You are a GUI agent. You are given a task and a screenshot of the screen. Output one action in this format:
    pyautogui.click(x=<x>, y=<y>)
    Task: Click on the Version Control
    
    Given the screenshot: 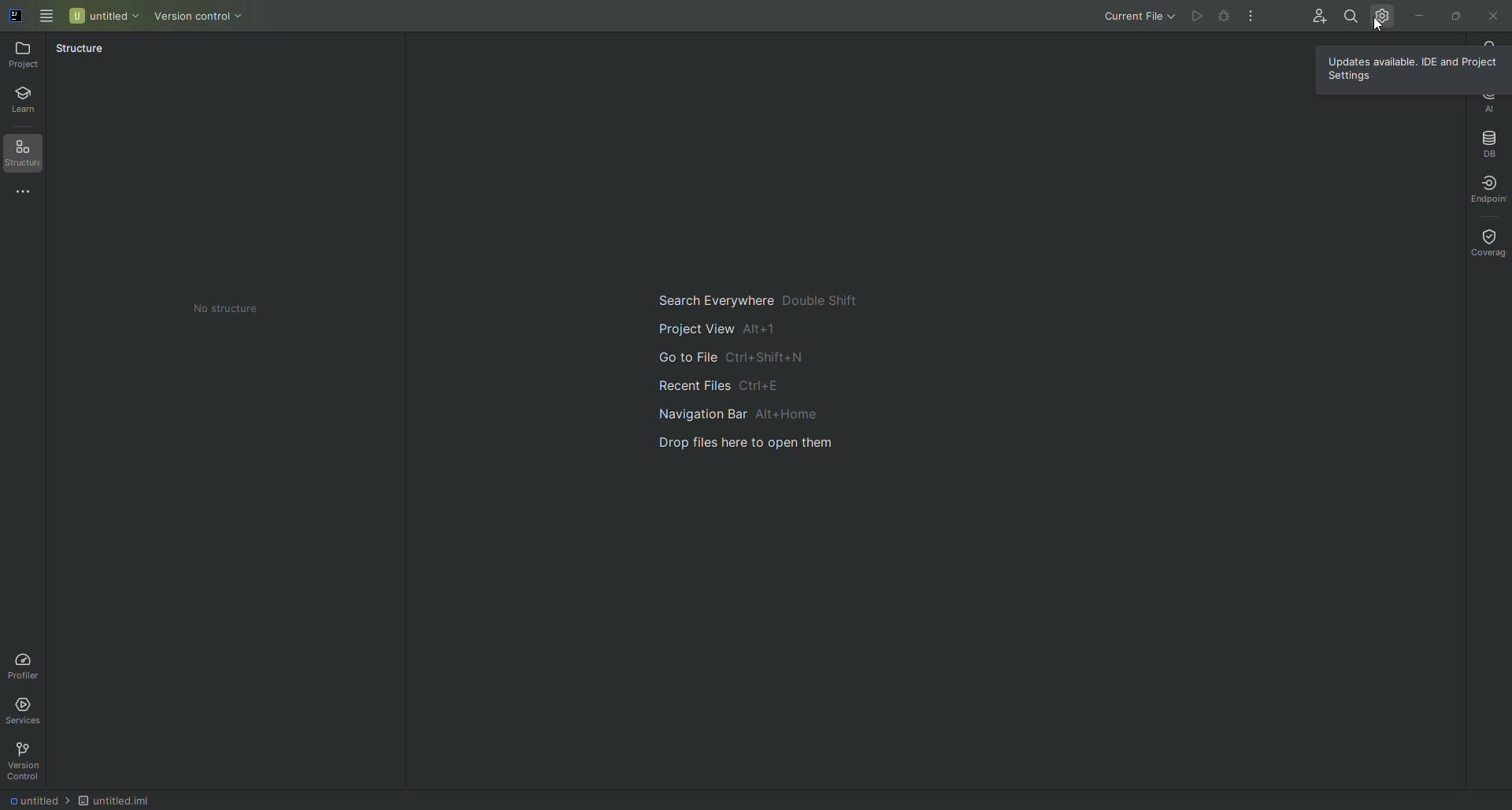 What is the action you would take?
    pyautogui.click(x=212, y=17)
    